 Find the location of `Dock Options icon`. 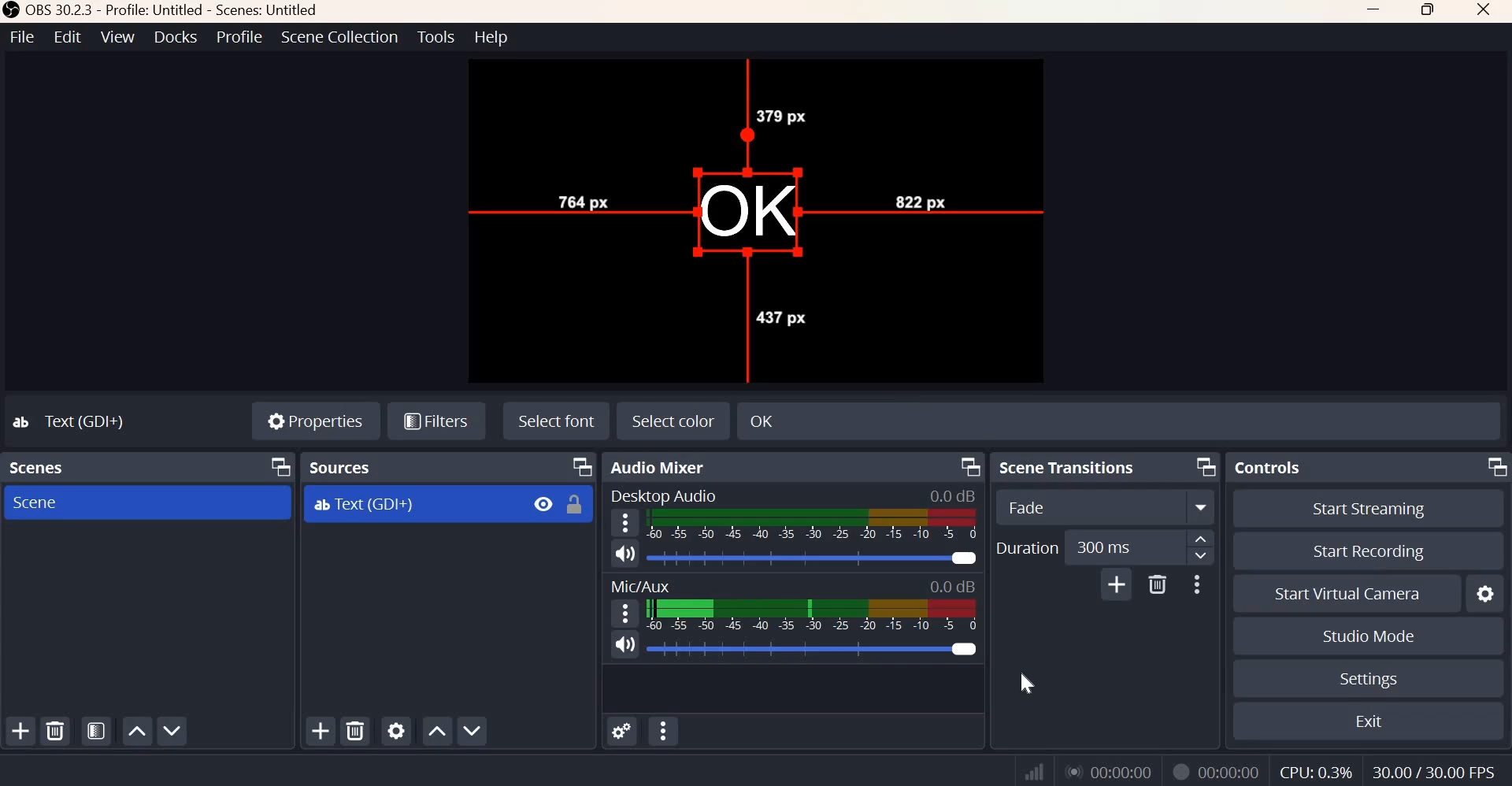

Dock Options icon is located at coordinates (1206, 466).